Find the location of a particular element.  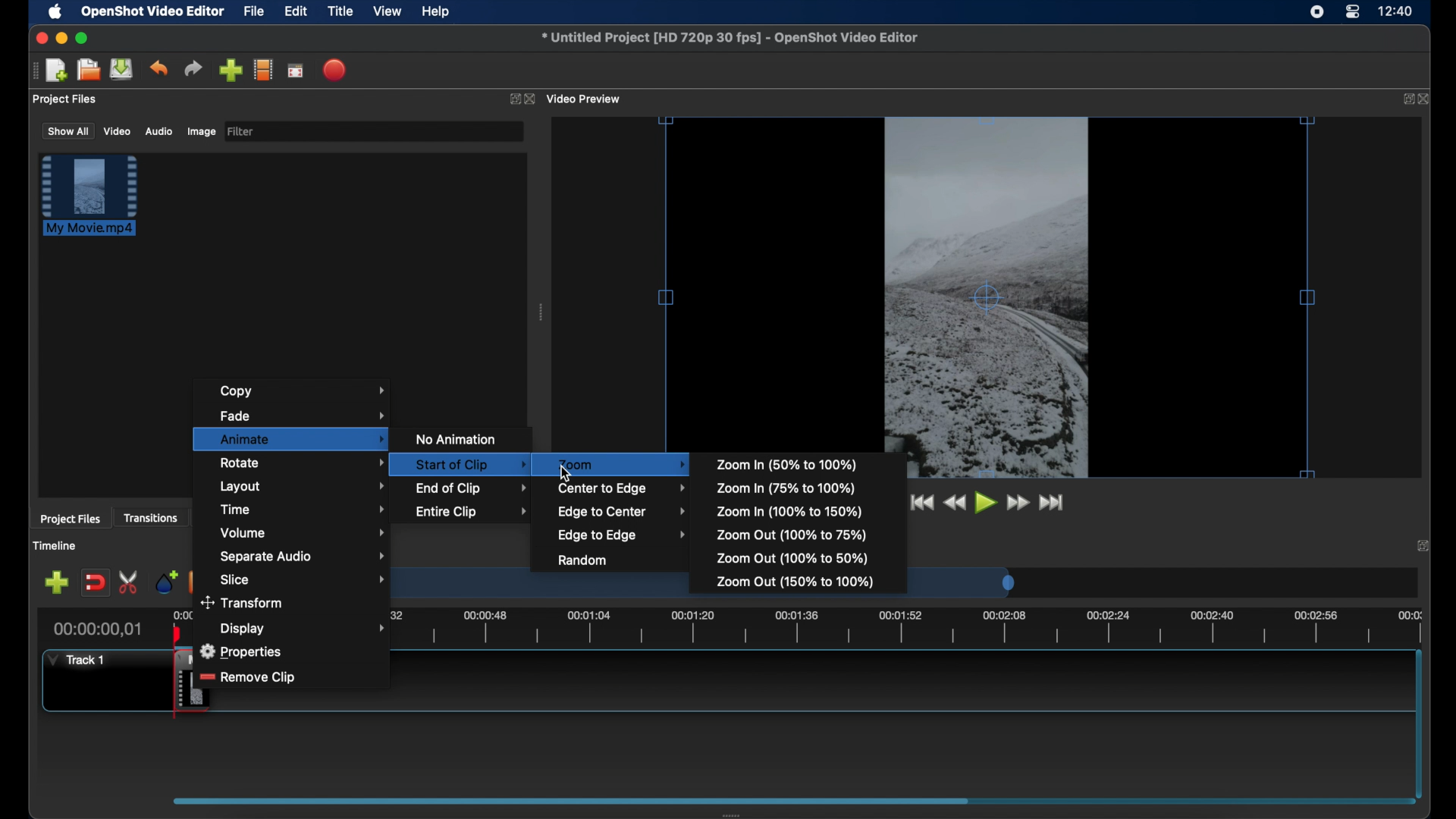

play button is located at coordinates (987, 504).